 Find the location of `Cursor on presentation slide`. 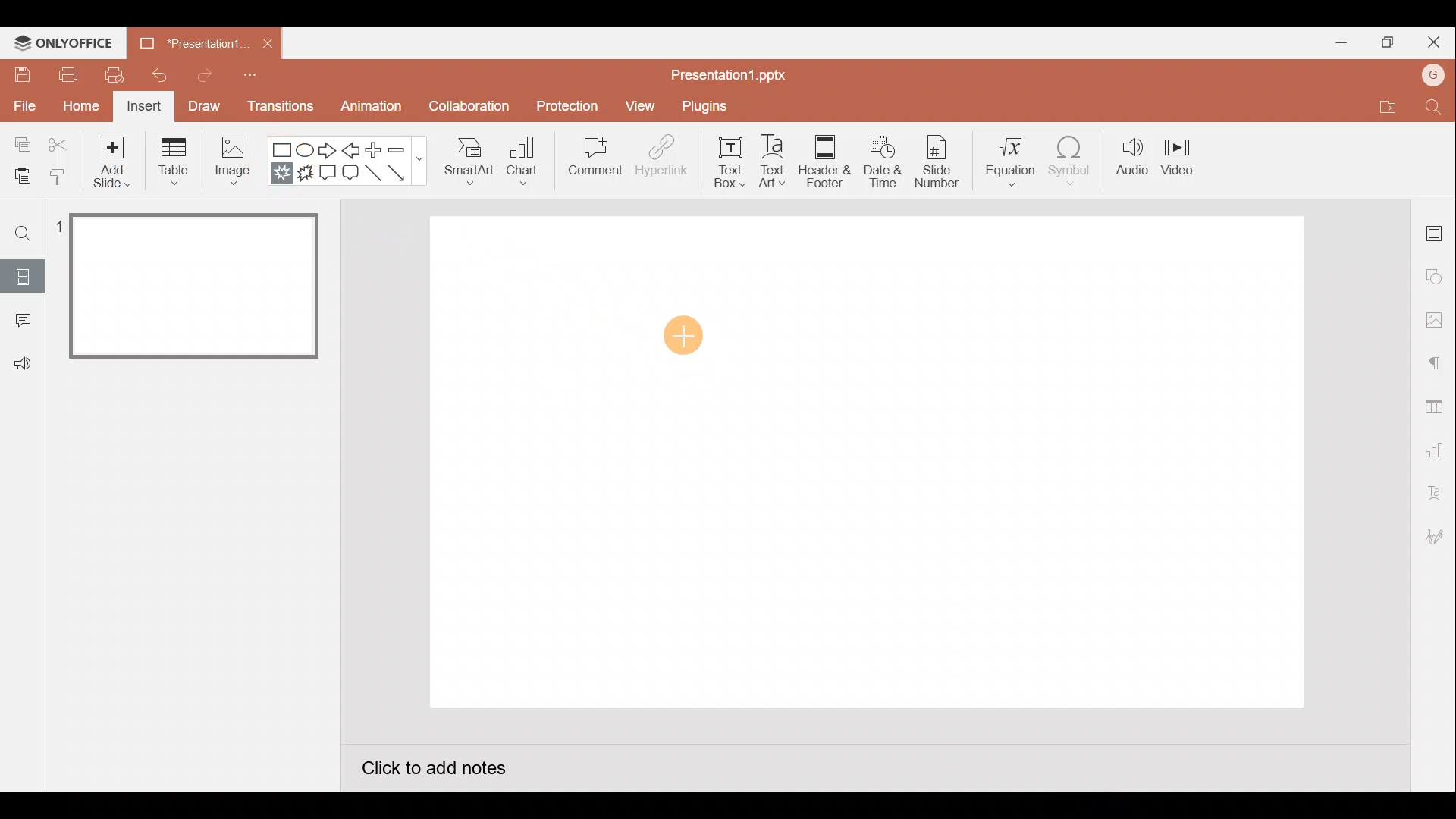

Cursor on presentation slide is located at coordinates (680, 334).